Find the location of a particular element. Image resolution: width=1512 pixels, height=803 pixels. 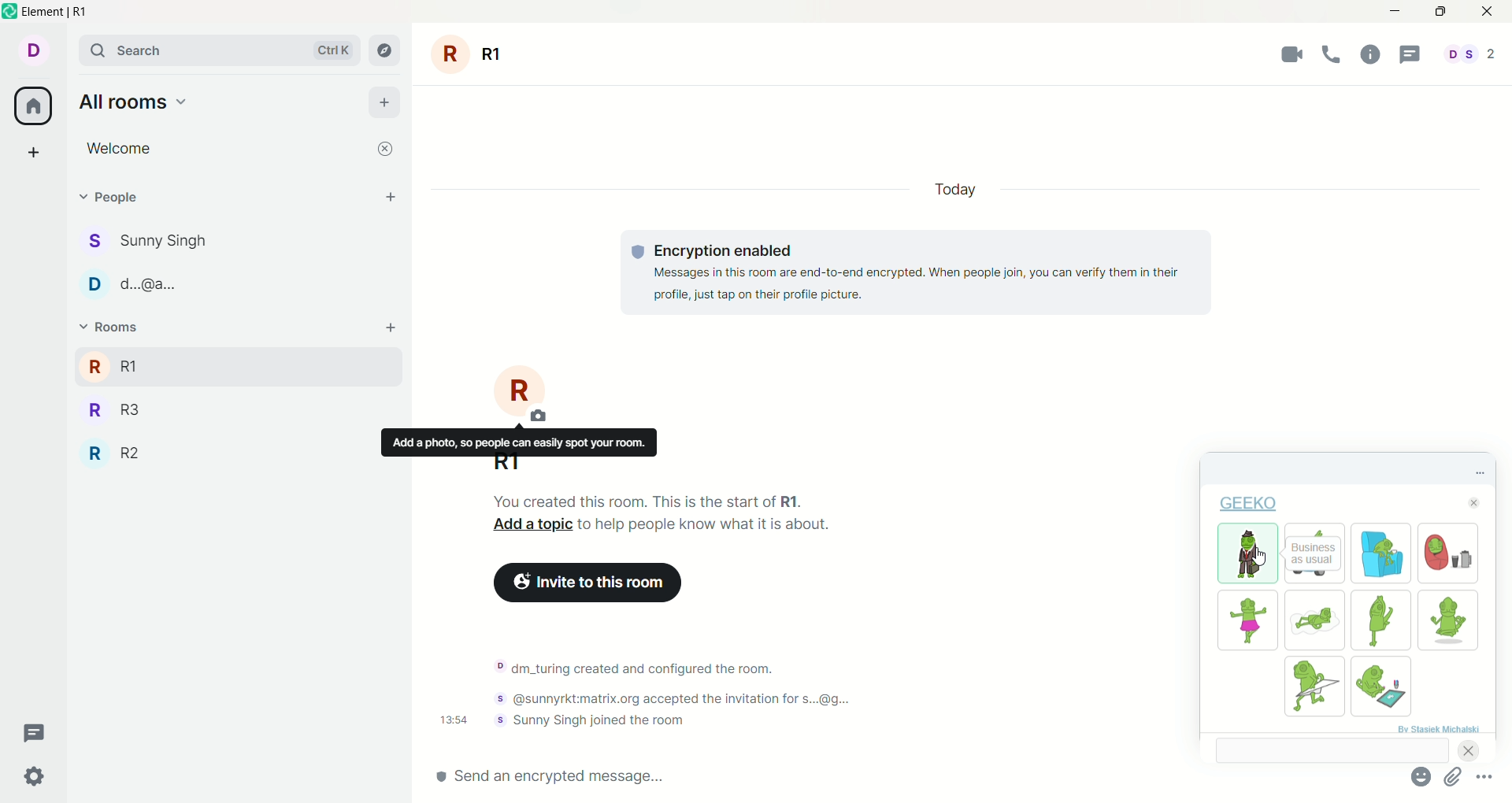

rooms is located at coordinates (114, 327).